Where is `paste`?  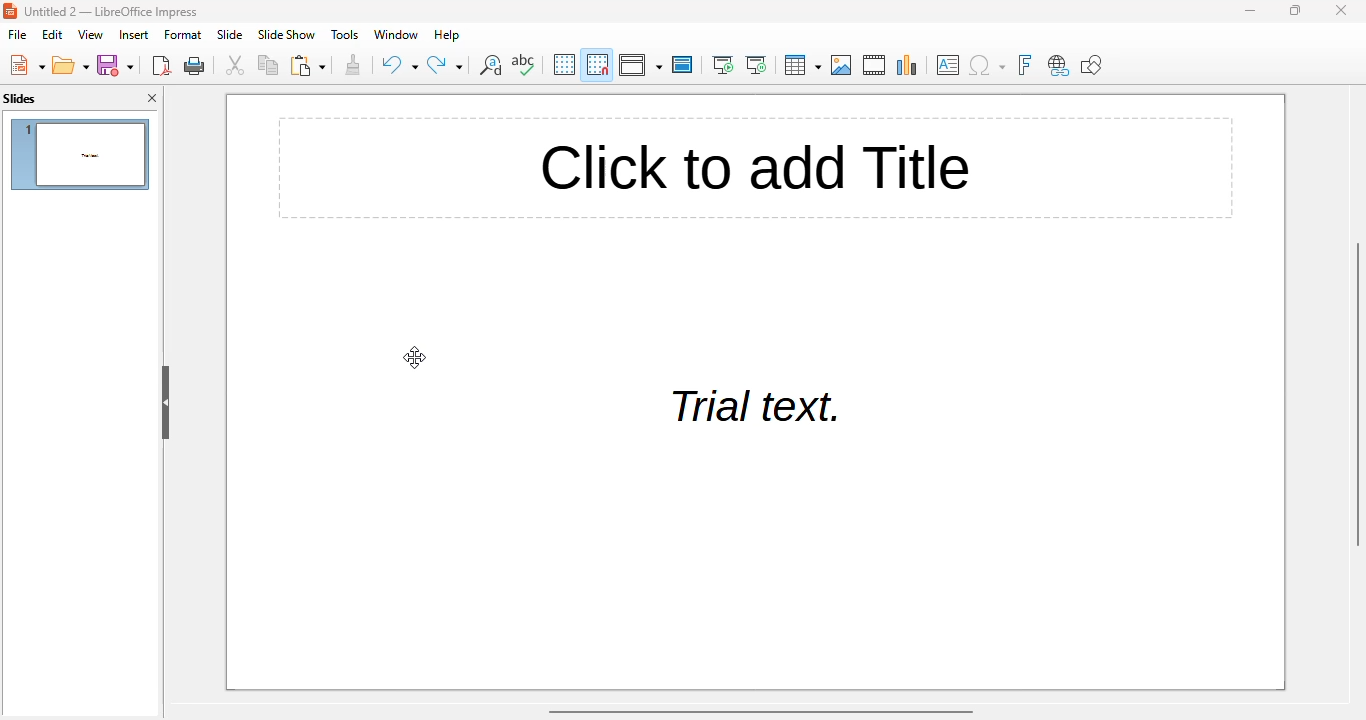 paste is located at coordinates (307, 65).